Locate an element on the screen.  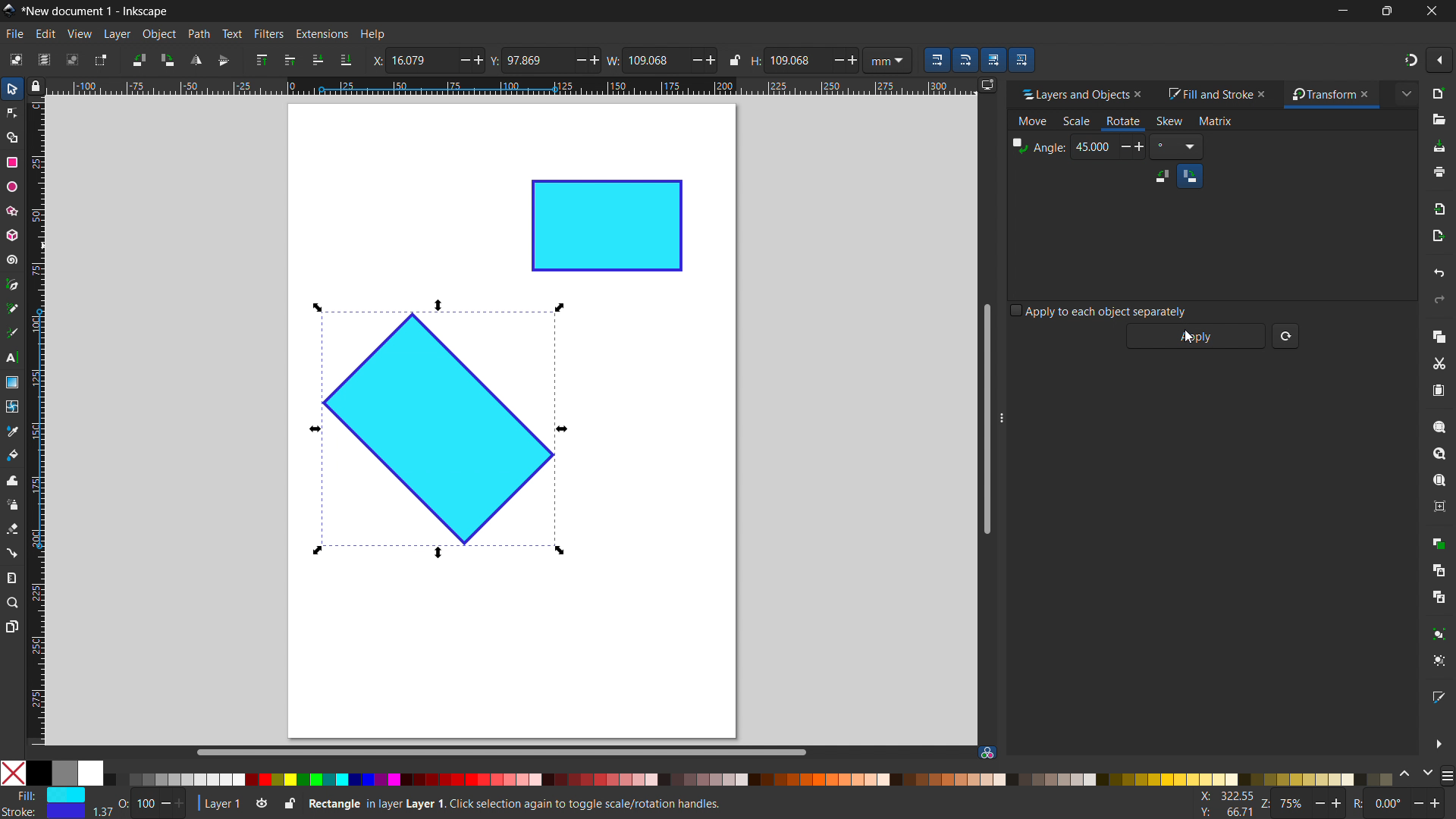
zoom tool is located at coordinates (13, 601).